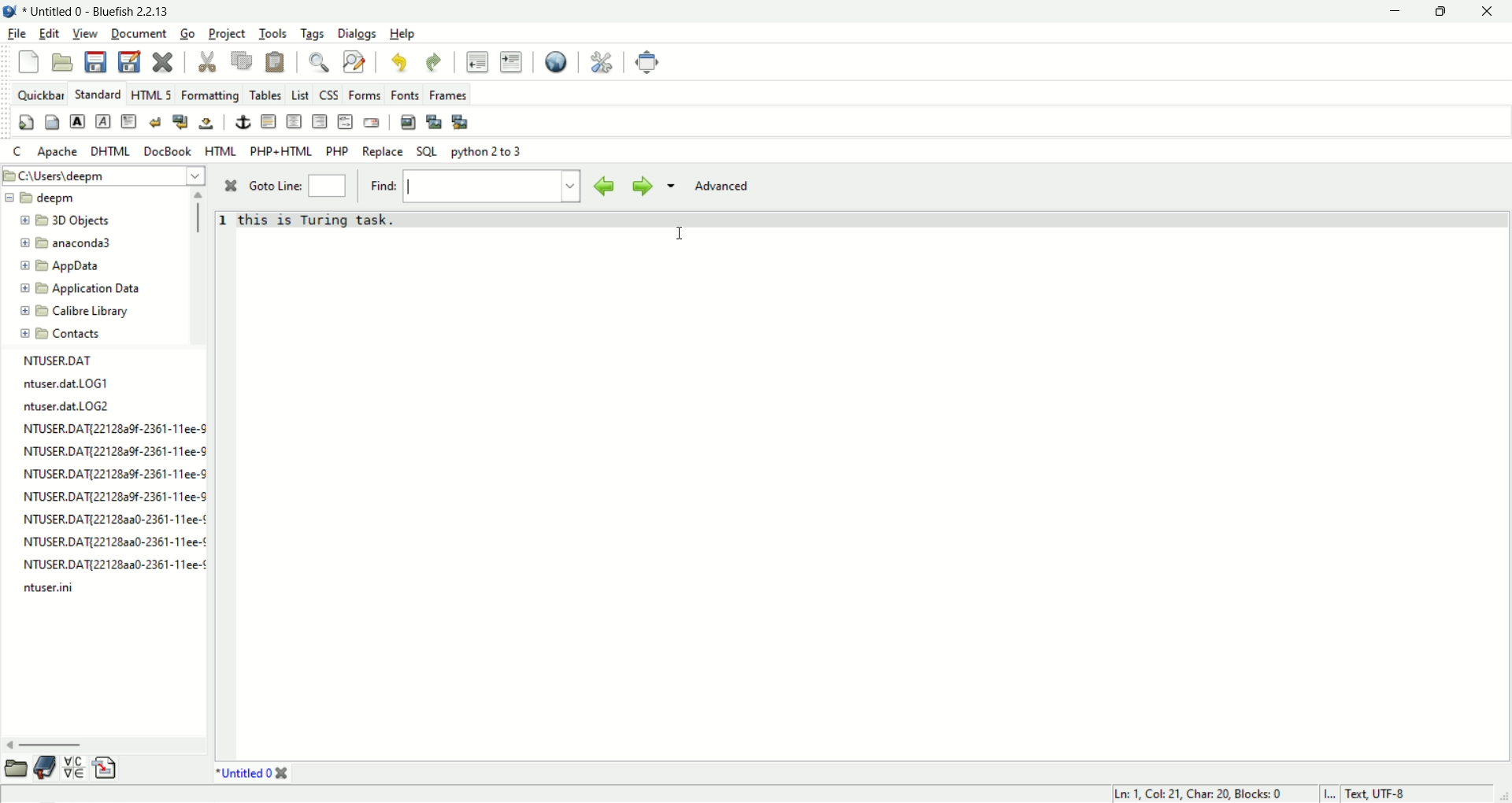  Describe the element at coordinates (62, 361) in the screenshot. I see `NTUSER.DAT` at that location.